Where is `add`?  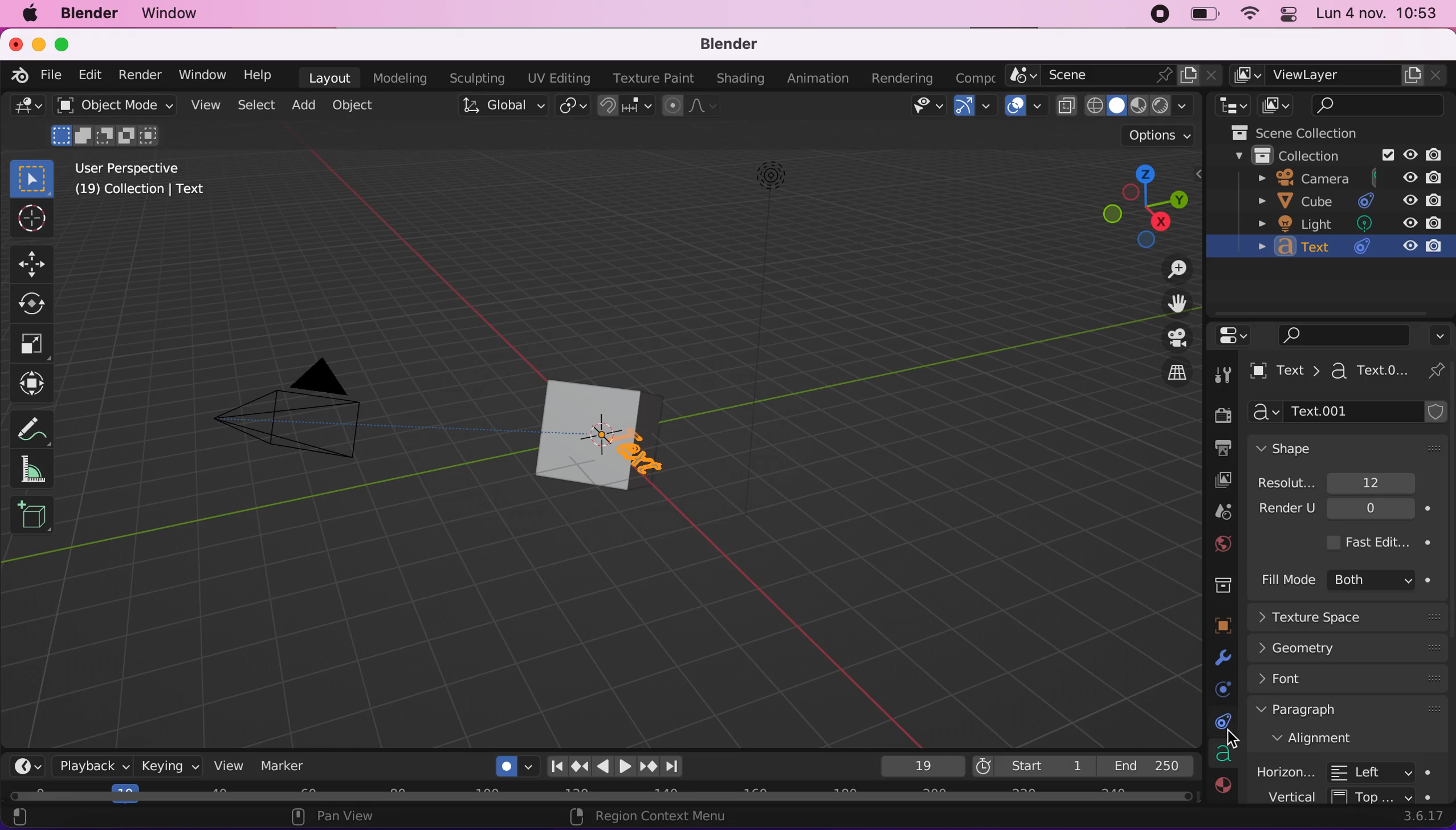
add is located at coordinates (307, 107).